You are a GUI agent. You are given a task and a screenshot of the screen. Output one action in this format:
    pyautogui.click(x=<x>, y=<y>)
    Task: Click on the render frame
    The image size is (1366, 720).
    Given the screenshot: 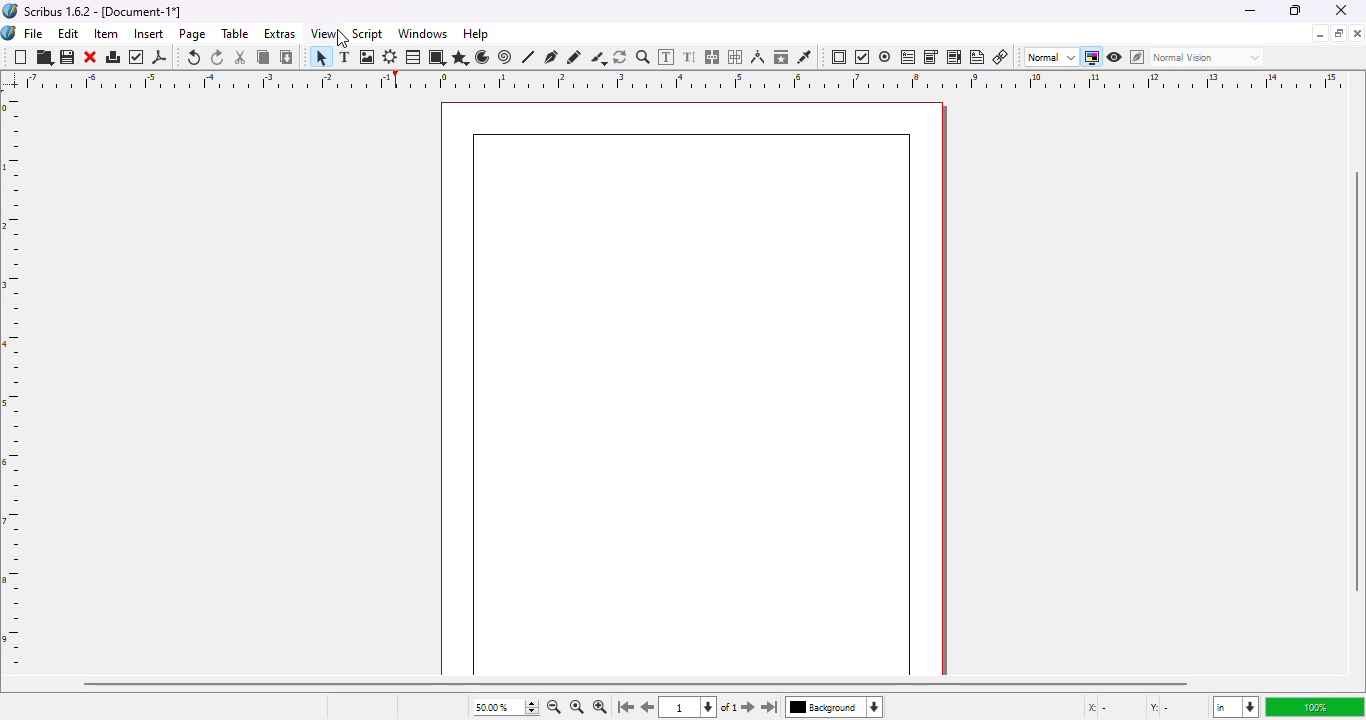 What is the action you would take?
    pyautogui.click(x=390, y=57)
    